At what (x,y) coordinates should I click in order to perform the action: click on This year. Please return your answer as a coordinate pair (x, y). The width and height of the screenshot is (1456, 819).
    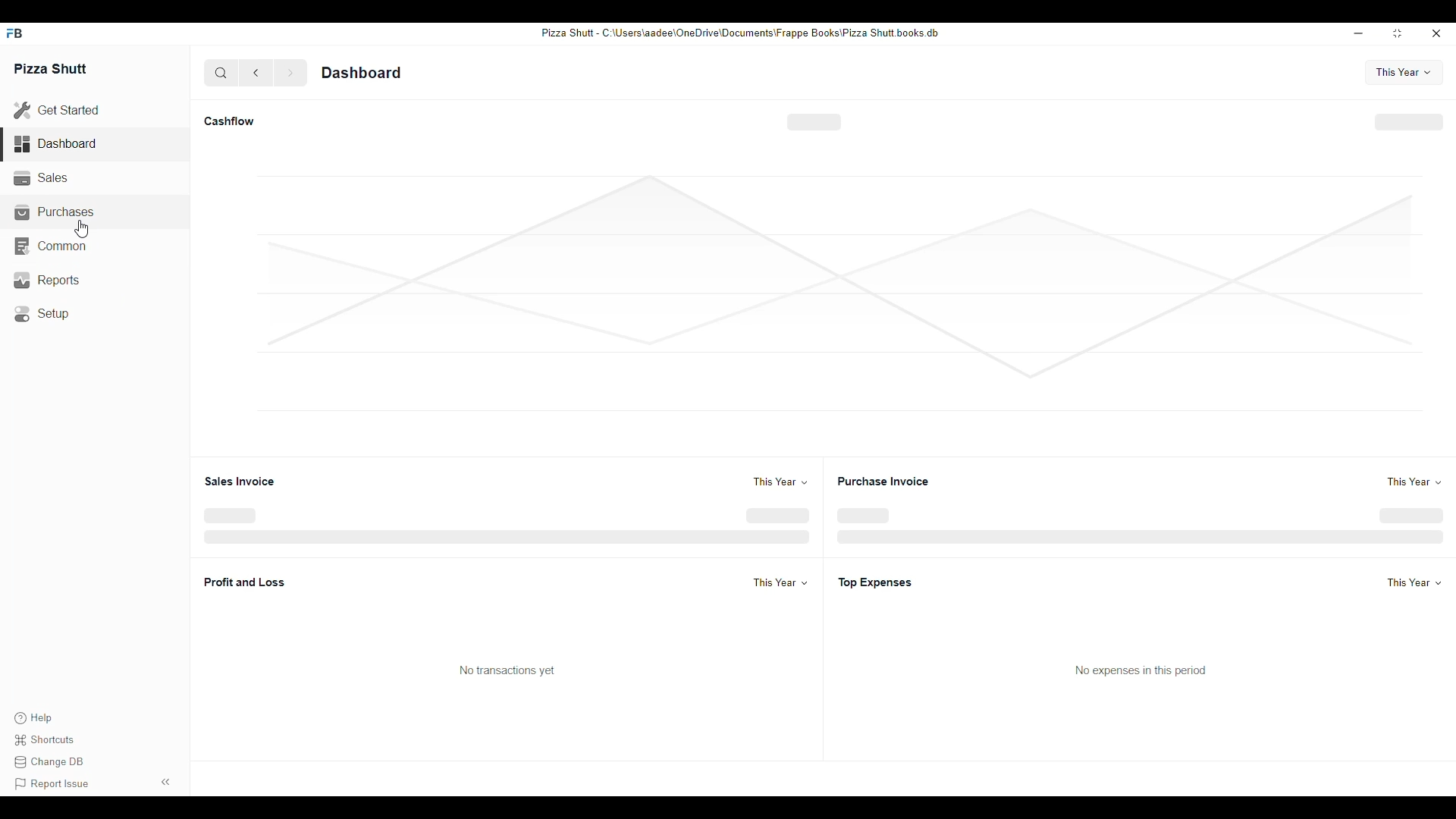
    Looking at the image, I should click on (781, 582).